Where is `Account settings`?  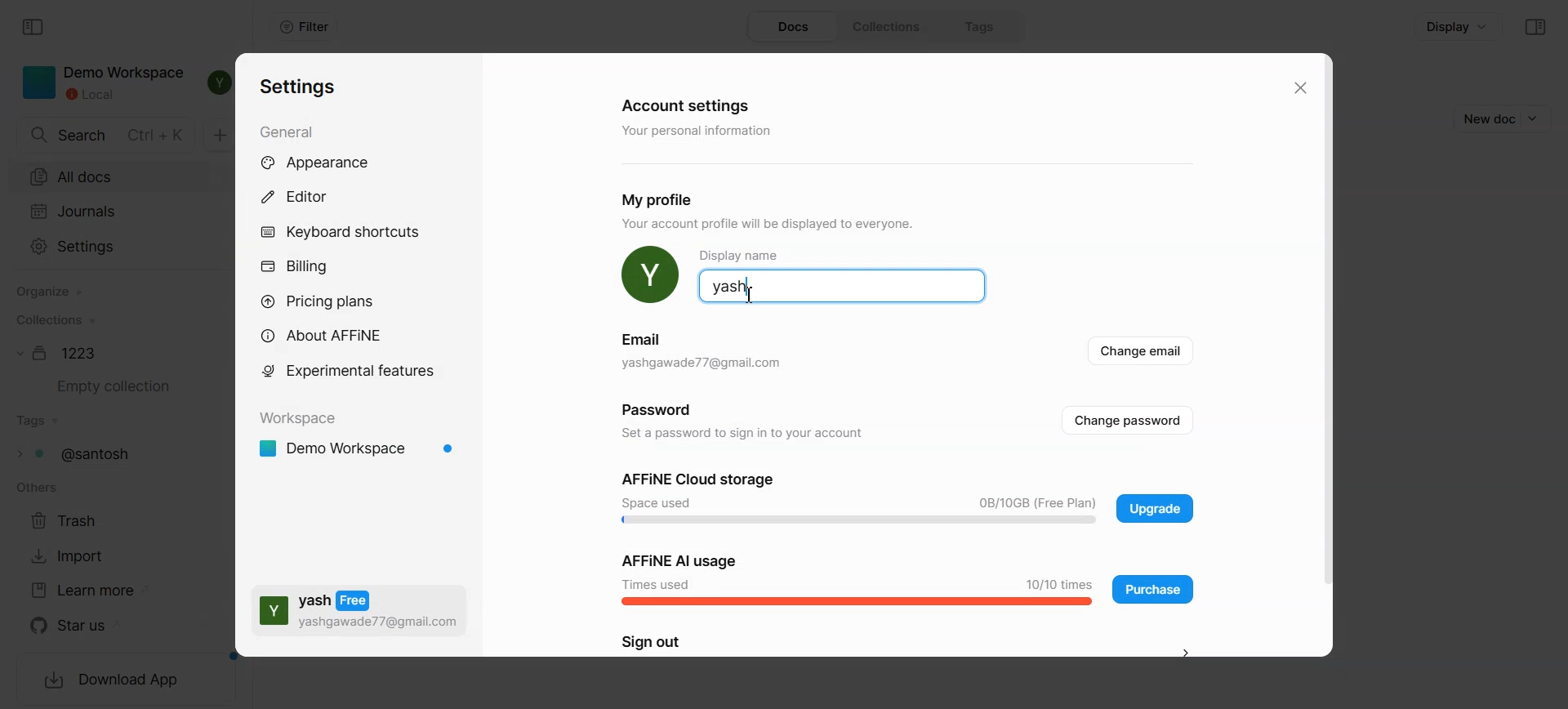
Account settings is located at coordinates (688, 104).